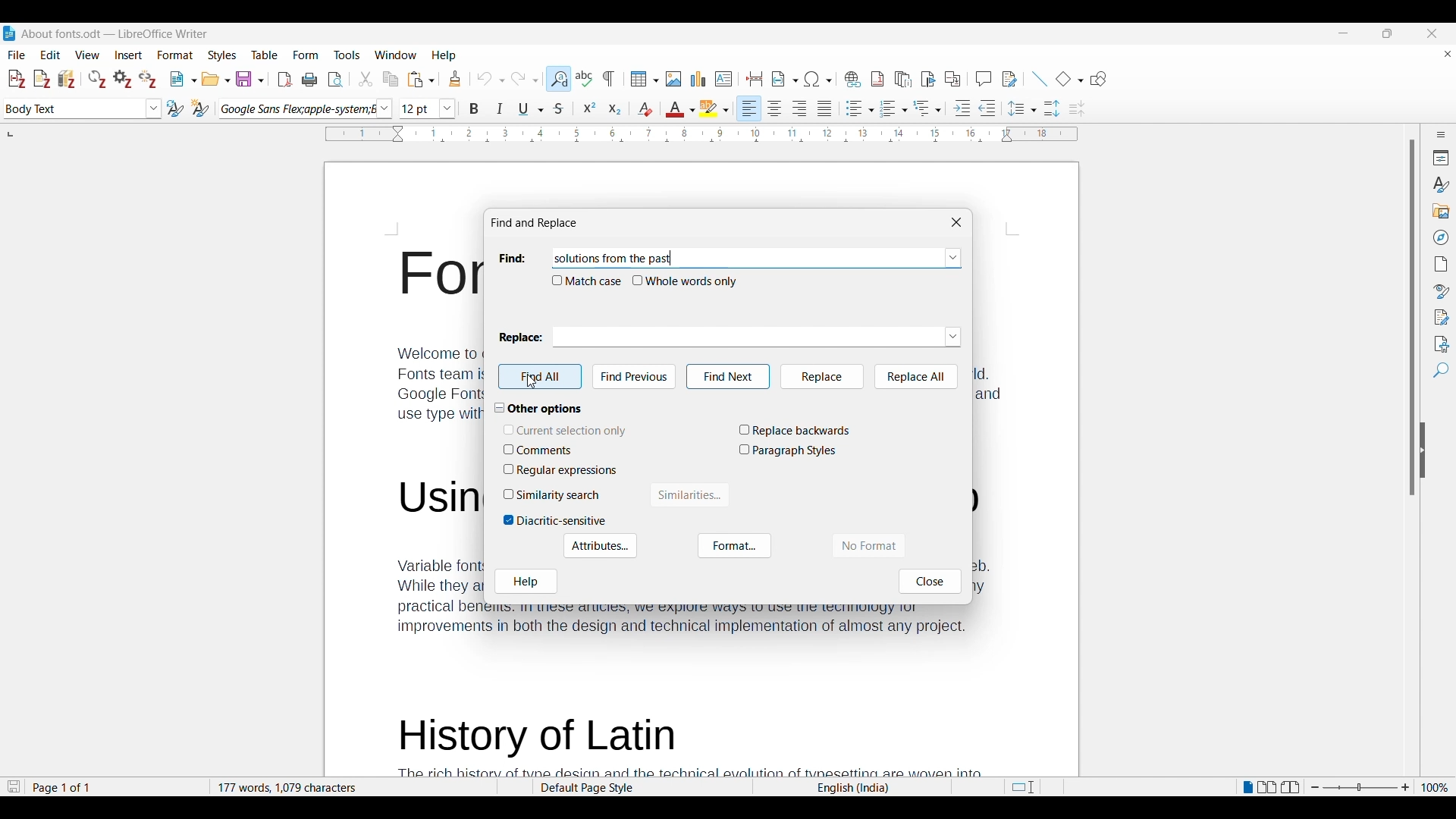  What do you see at coordinates (749, 108) in the screenshot?
I see `Align left, current selection, highlighted` at bounding box center [749, 108].